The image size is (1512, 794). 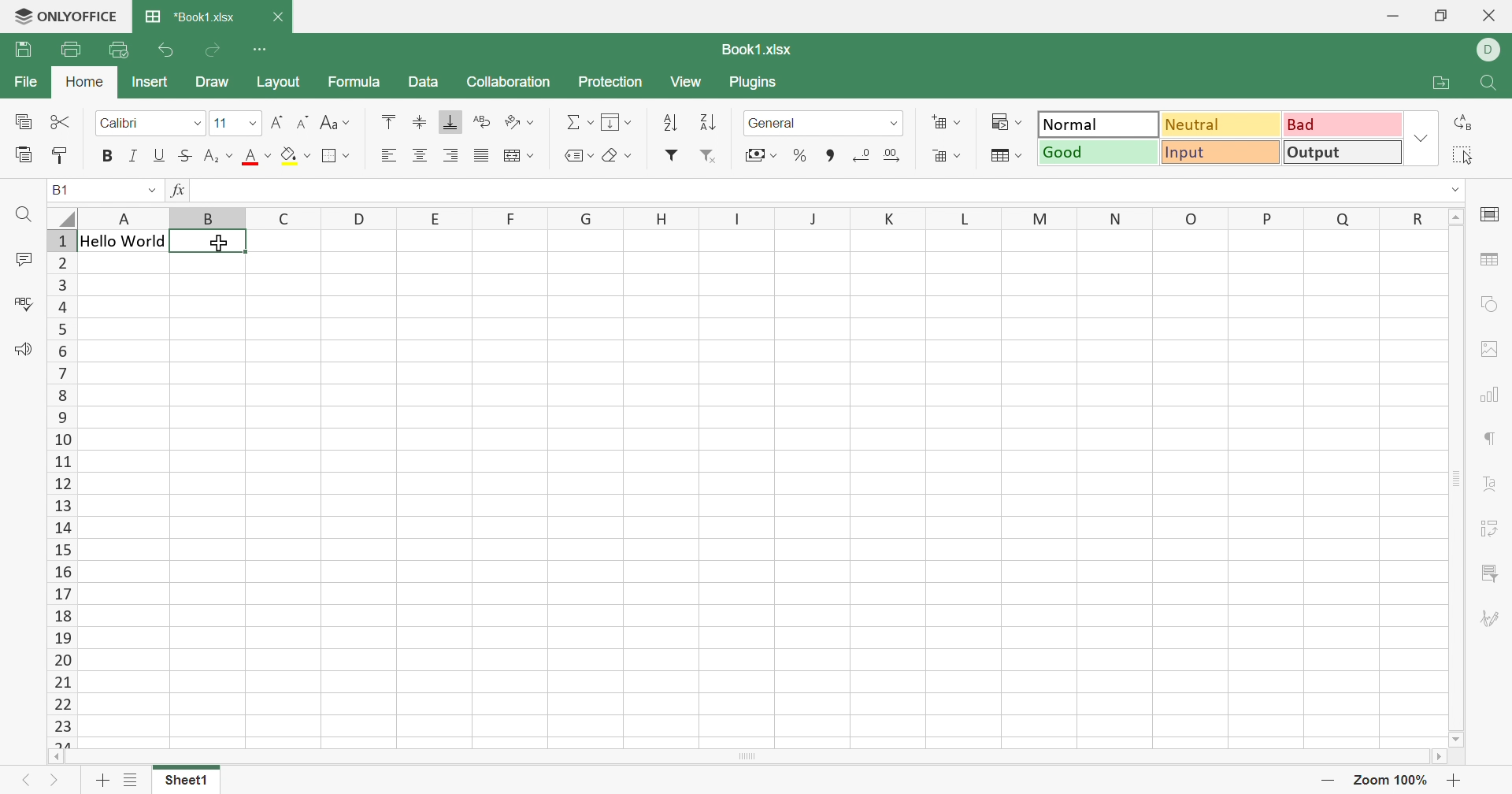 What do you see at coordinates (947, 155) in the screenshot?
I see `Delete cells` at bounding box center [947, 155].